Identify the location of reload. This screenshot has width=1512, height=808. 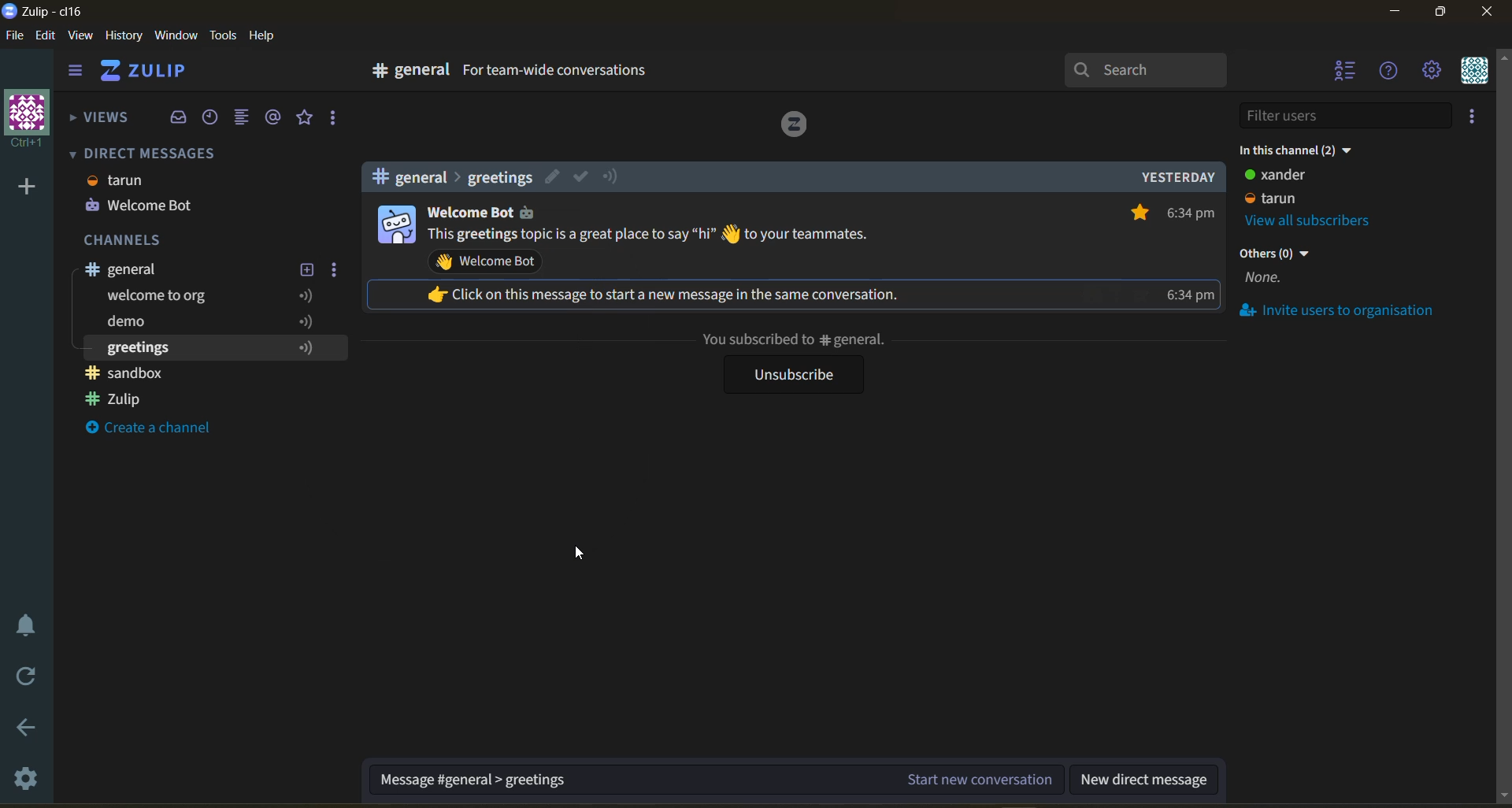
(21, 680).